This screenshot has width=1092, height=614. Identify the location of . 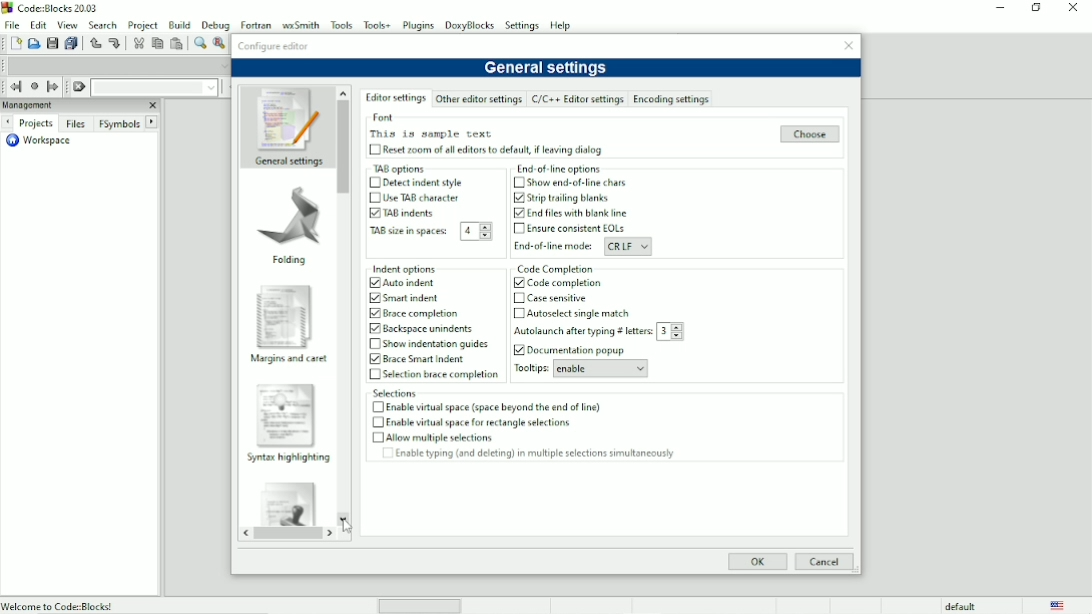
(375, 437).